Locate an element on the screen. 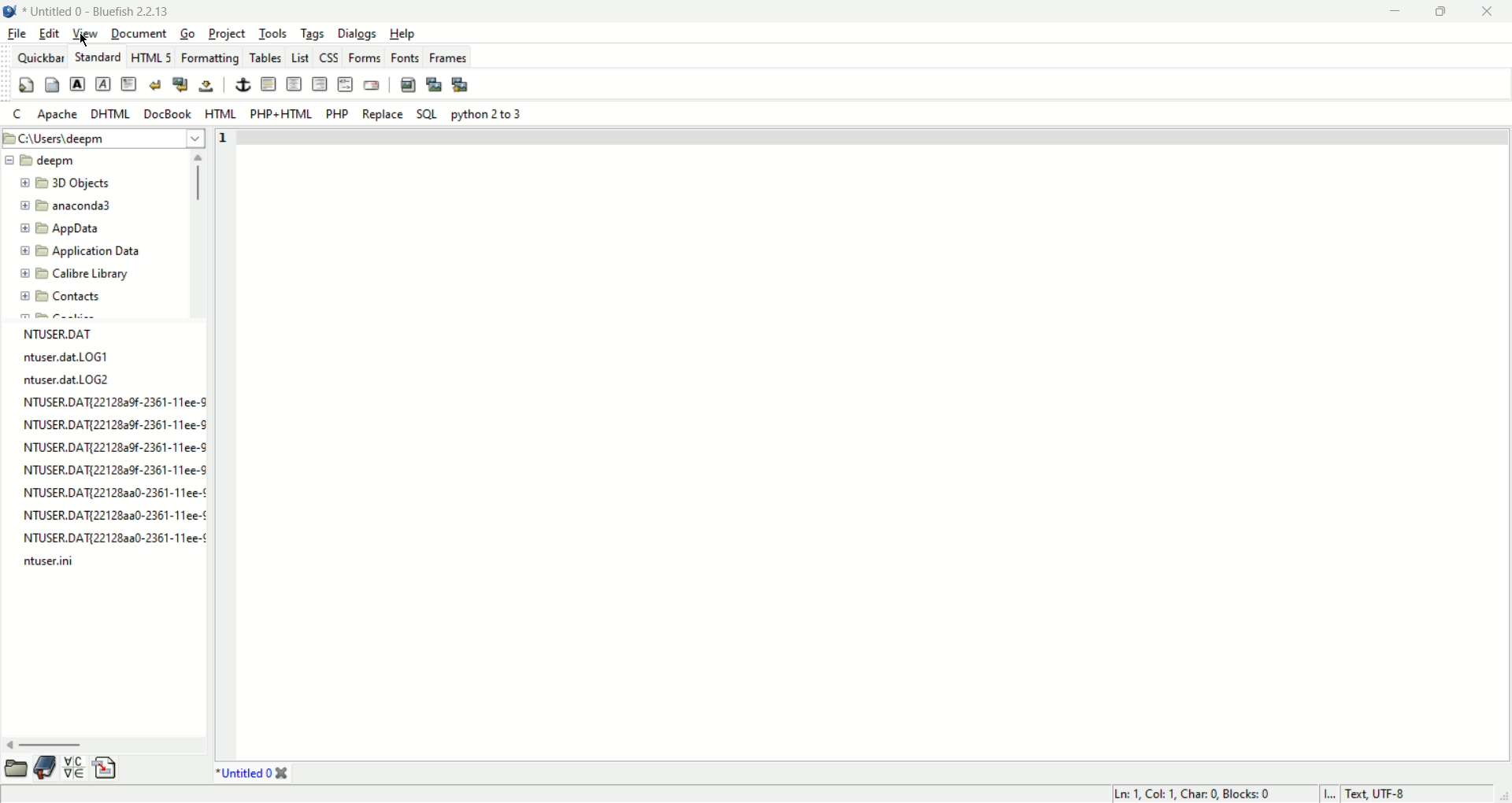 The height and width of the screenshot is (803, 1512). tags is located at coordinates (313, 34).